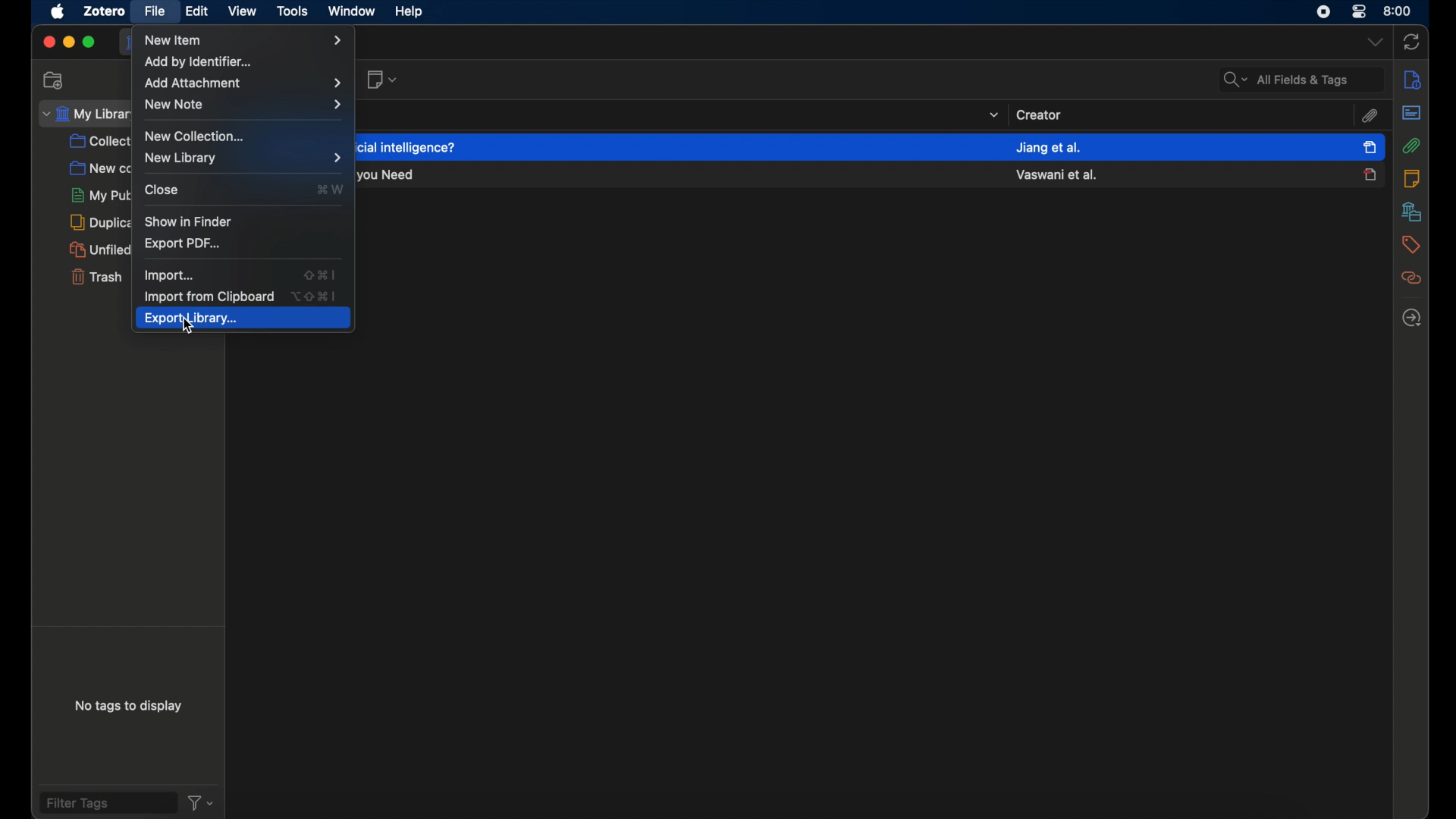  Describe the element at coordinates (1410, 112) in the screenshot. I see `abstract` at that location.